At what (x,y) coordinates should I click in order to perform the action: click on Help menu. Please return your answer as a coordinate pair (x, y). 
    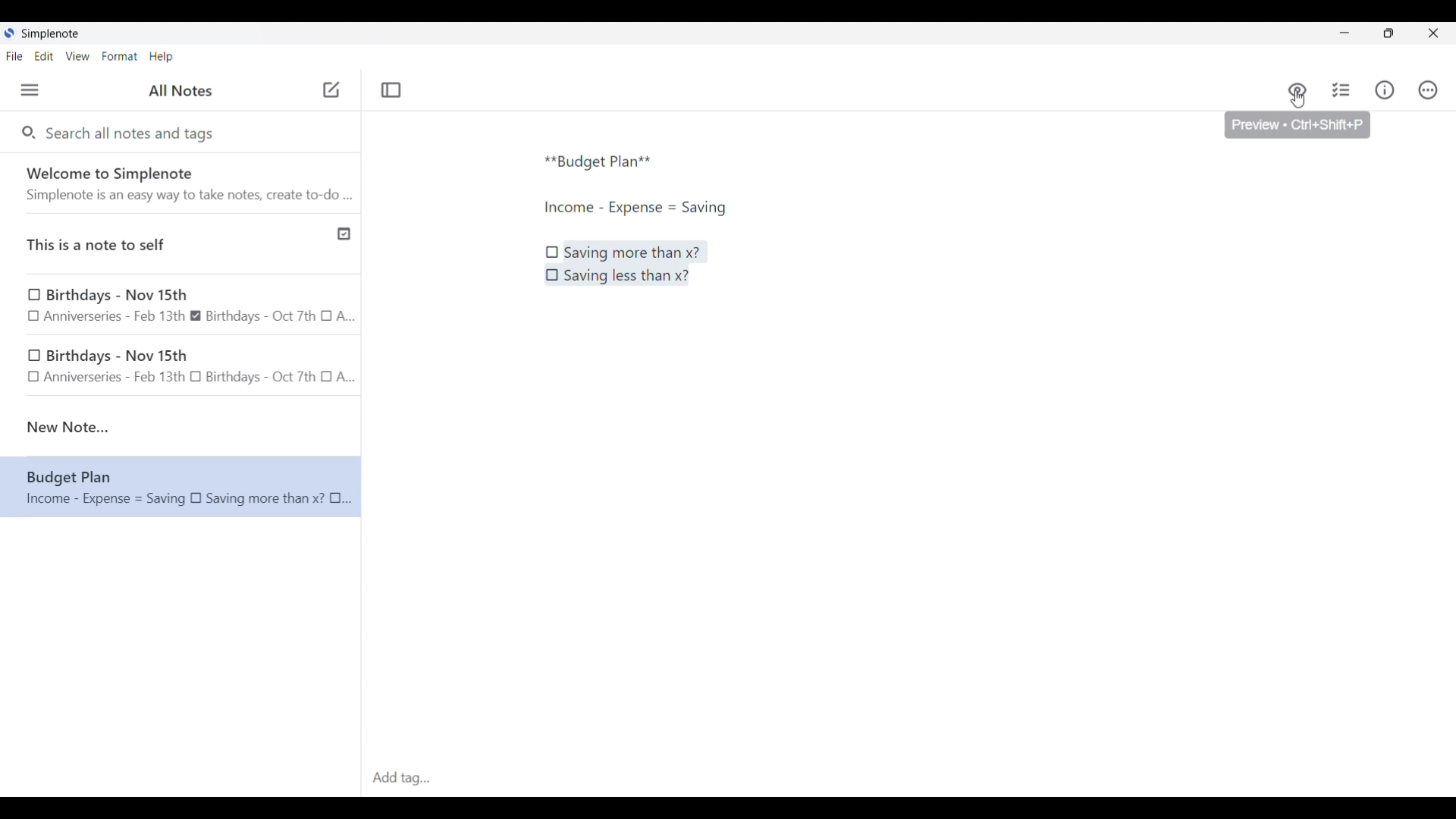
    Looking at the image, I should click on (161, 56).